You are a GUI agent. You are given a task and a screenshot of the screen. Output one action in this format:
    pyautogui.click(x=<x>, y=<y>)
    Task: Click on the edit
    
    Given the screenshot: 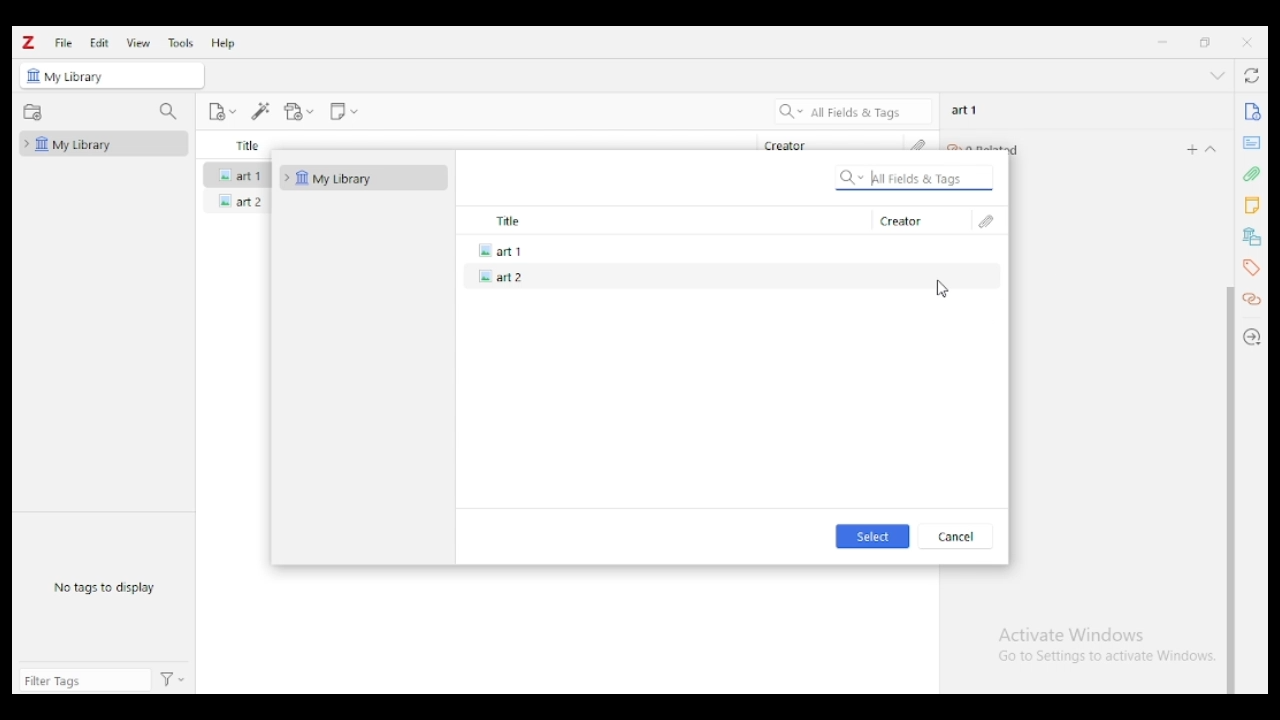 What is the action you would take?
    pyautogui.click(x=99, y=42)
    